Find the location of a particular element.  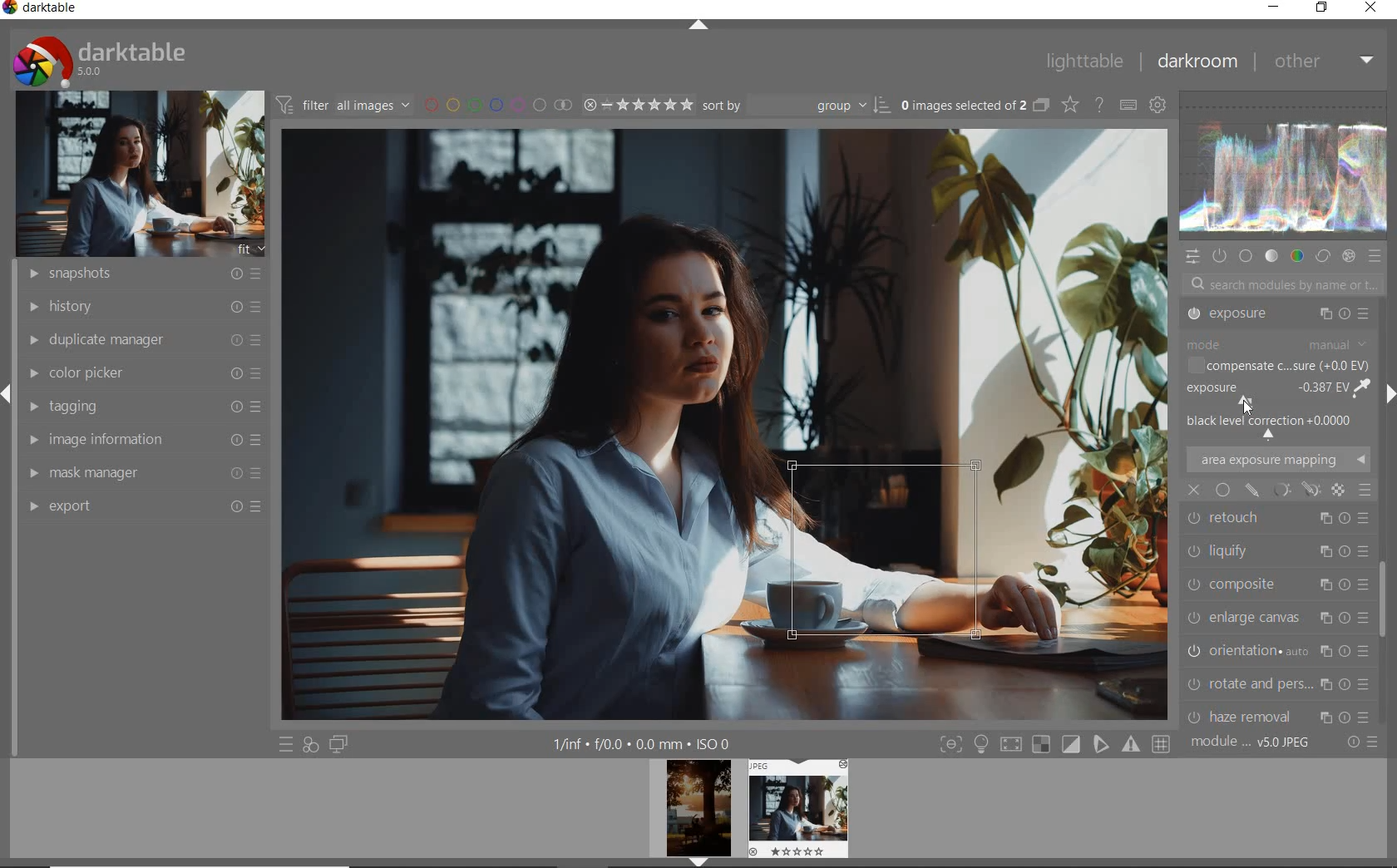

IMAGE PREVIEW is located at coordinates (797, 808).